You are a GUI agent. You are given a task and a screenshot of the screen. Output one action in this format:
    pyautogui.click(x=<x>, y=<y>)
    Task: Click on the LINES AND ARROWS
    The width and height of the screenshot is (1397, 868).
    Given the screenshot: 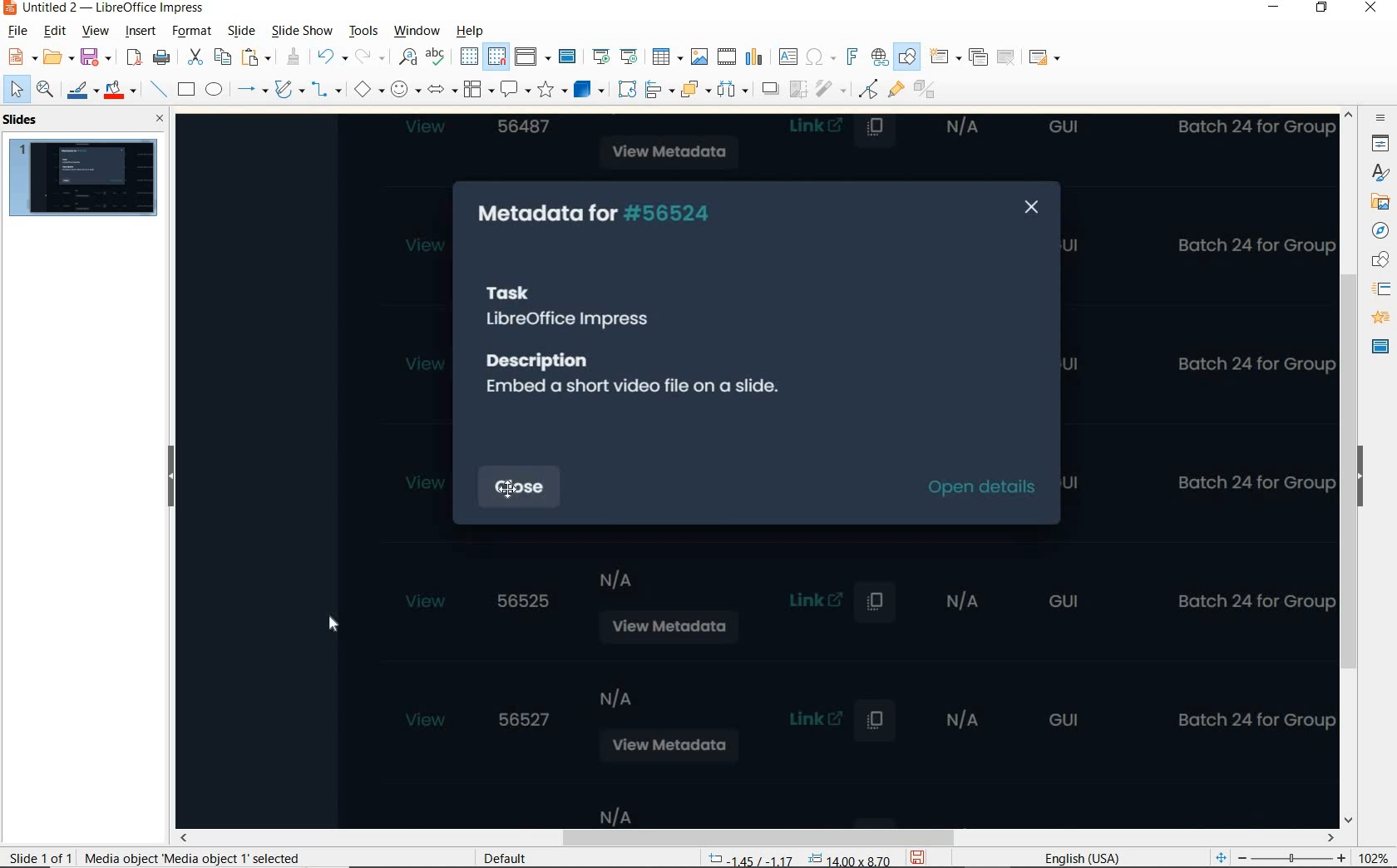 What is the action you would take?
    pyautogui.click(x=251, y=91)
    